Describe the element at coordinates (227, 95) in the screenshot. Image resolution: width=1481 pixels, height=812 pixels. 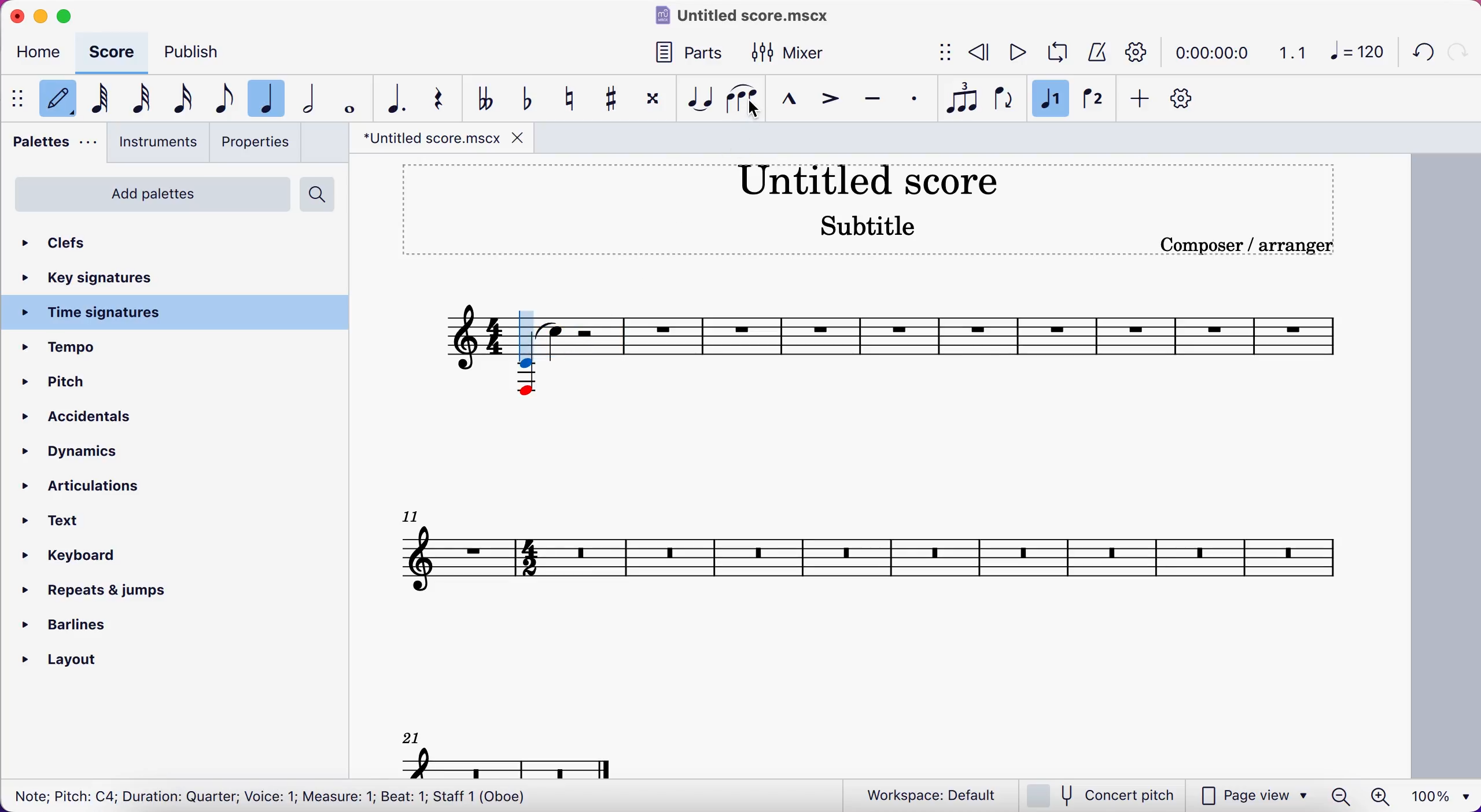
I see `8th note` at that location.